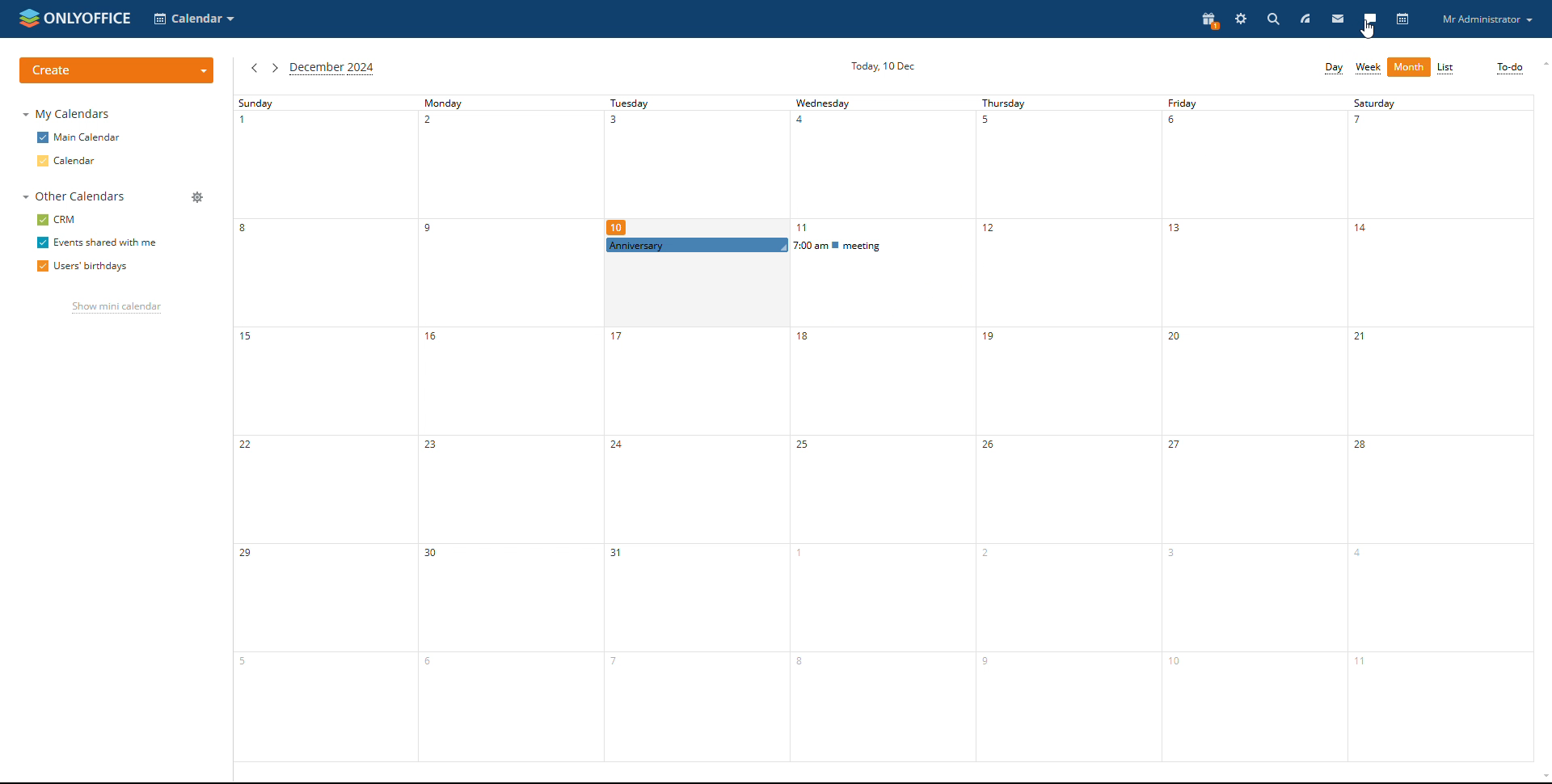  Describe the element at coordinates (1447, 68) in the screenshot. I see `list view` at that location.